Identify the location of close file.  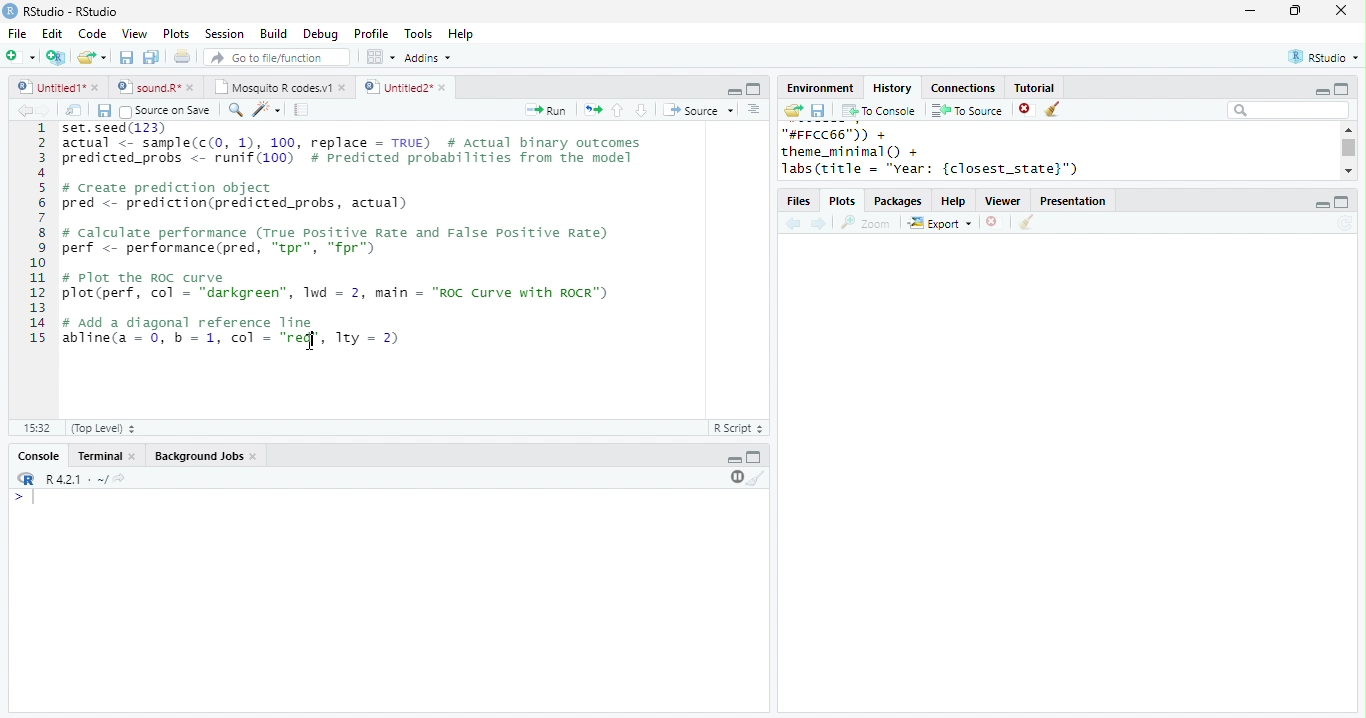
(1027, 110).